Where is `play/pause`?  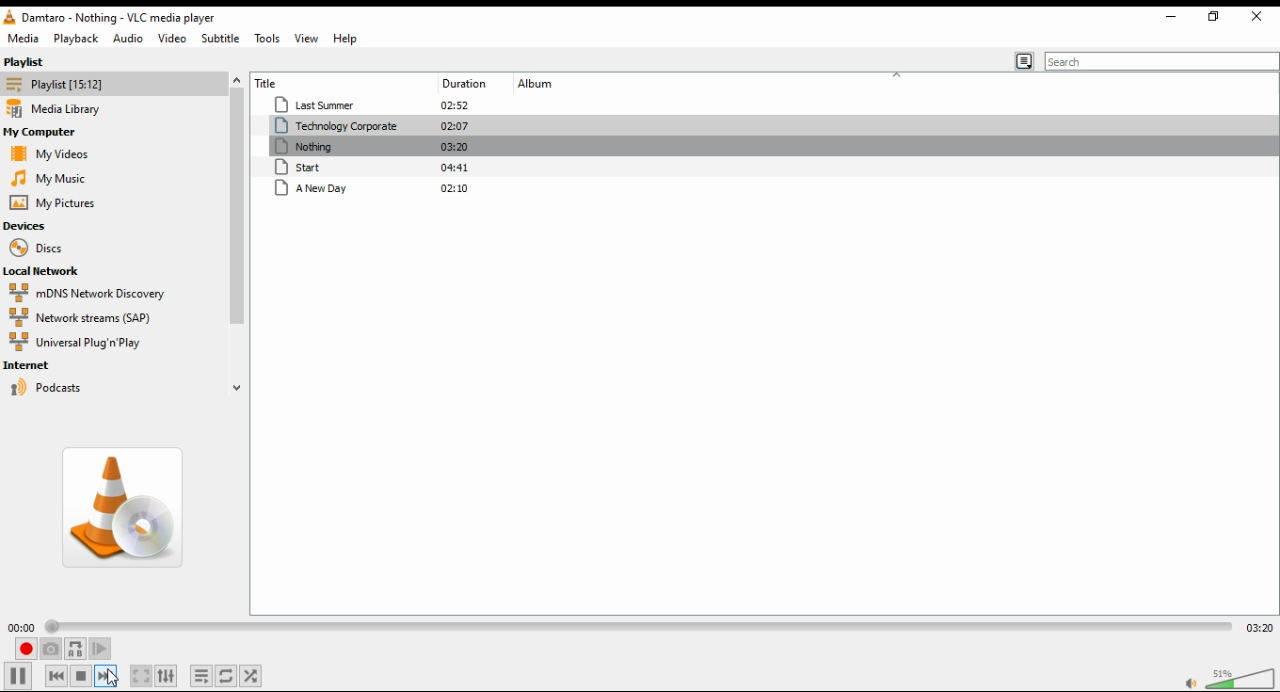
play/pause is located at coordinates (24, 677).